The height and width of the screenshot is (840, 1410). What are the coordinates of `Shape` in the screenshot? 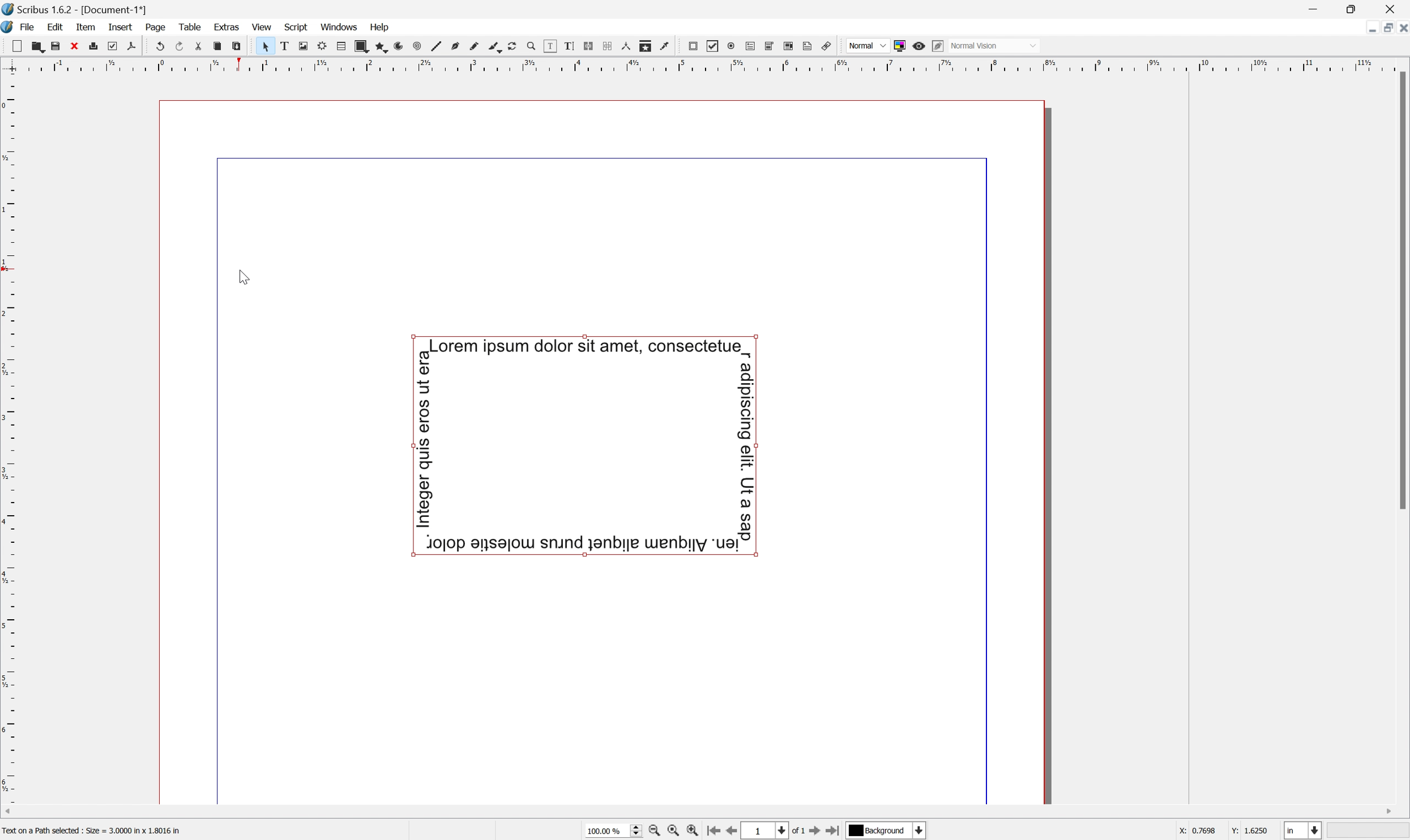 It's located at (361, 44).